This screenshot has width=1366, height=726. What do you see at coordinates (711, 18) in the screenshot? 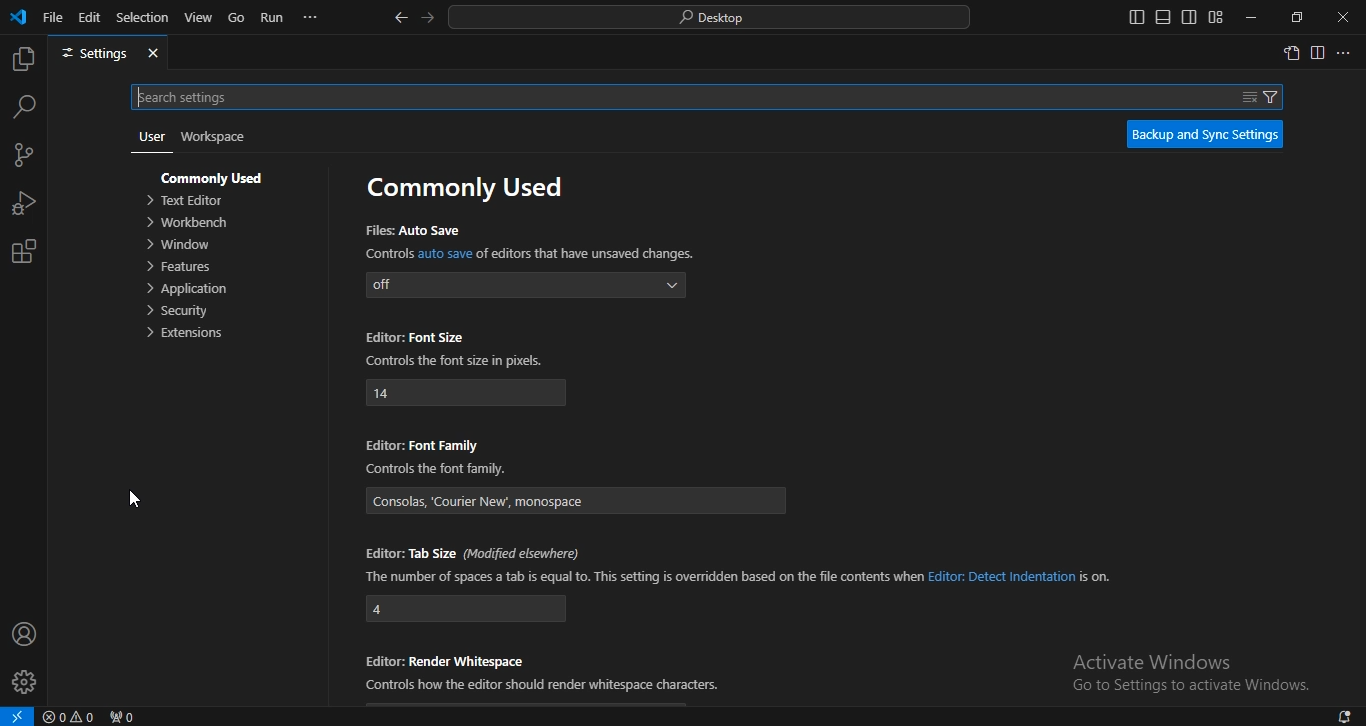
I see `search` at bounding box center [711, 18].